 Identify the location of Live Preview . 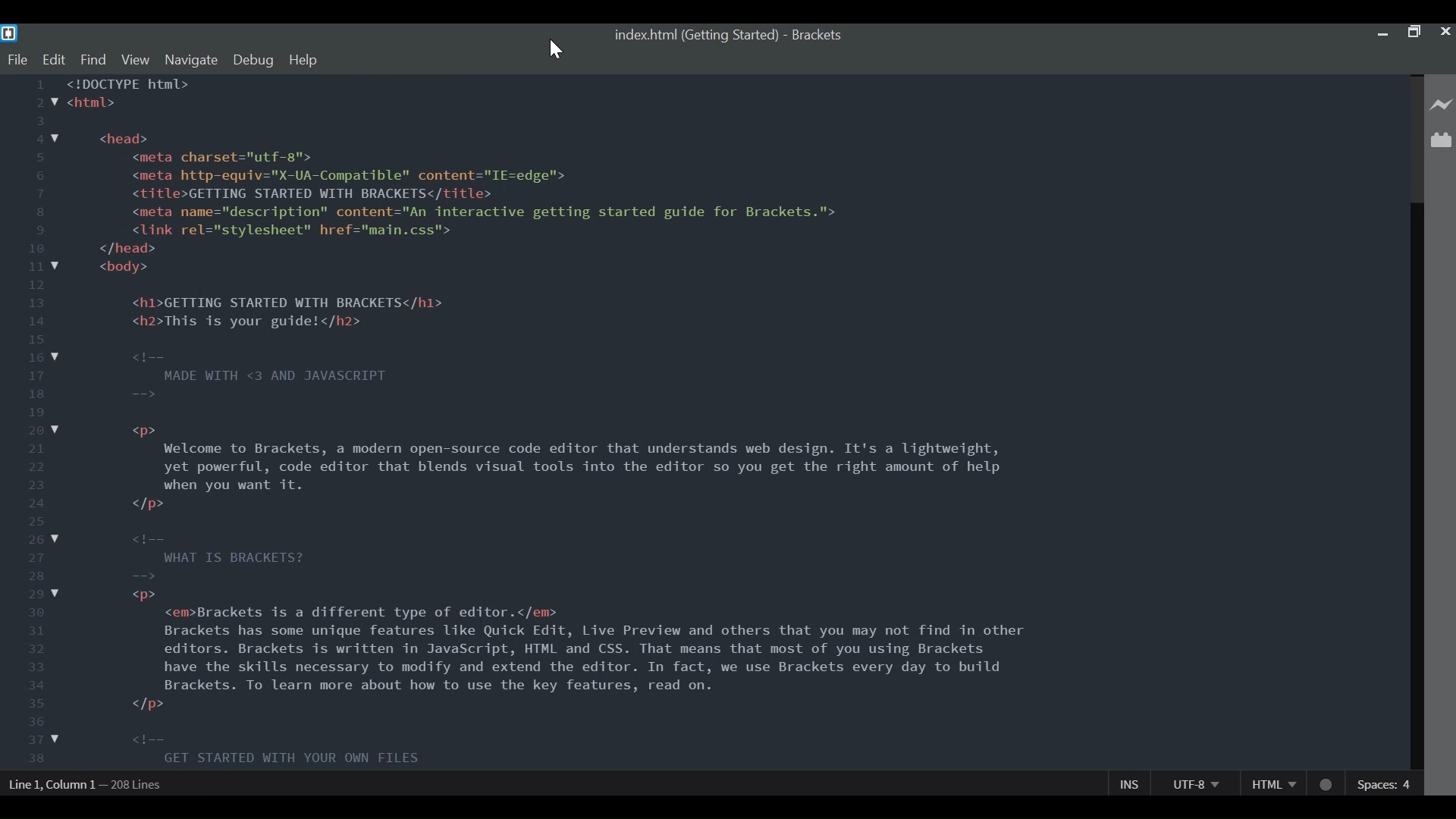
(1442, 106).